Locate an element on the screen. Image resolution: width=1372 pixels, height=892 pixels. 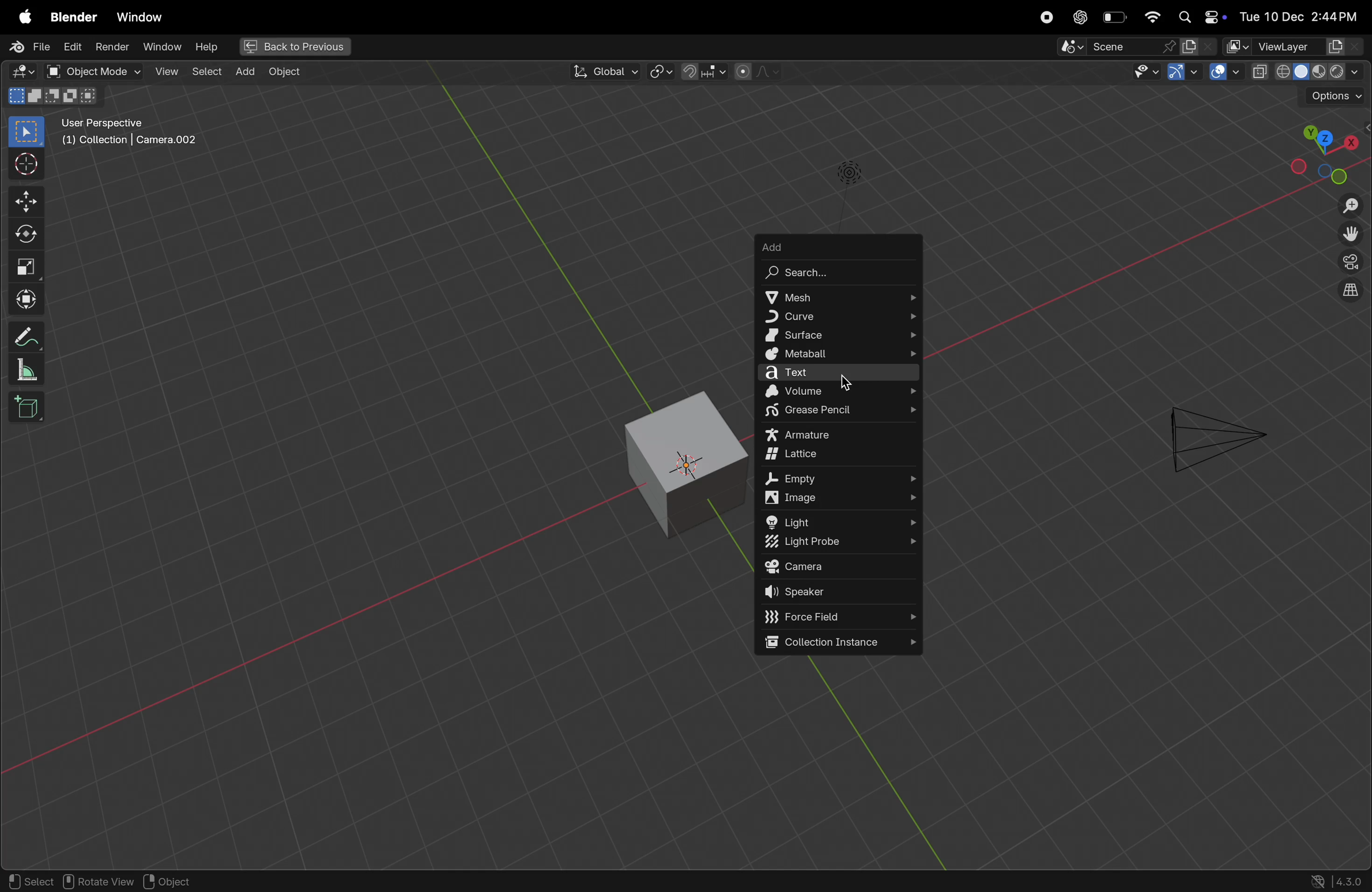
light is located at coordinates (842, 521).